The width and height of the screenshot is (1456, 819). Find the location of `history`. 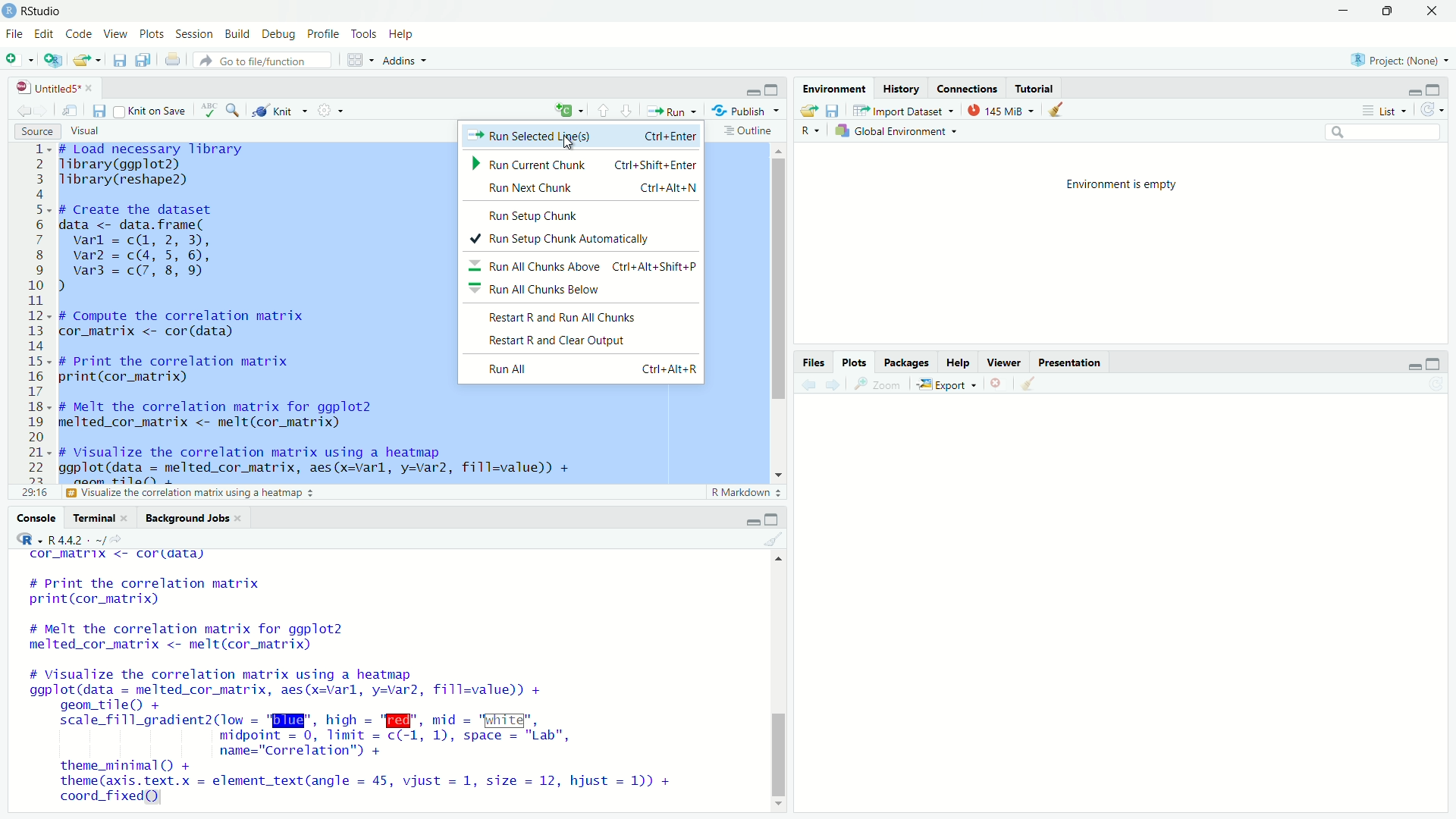

history is located at coordinates (903, 88).